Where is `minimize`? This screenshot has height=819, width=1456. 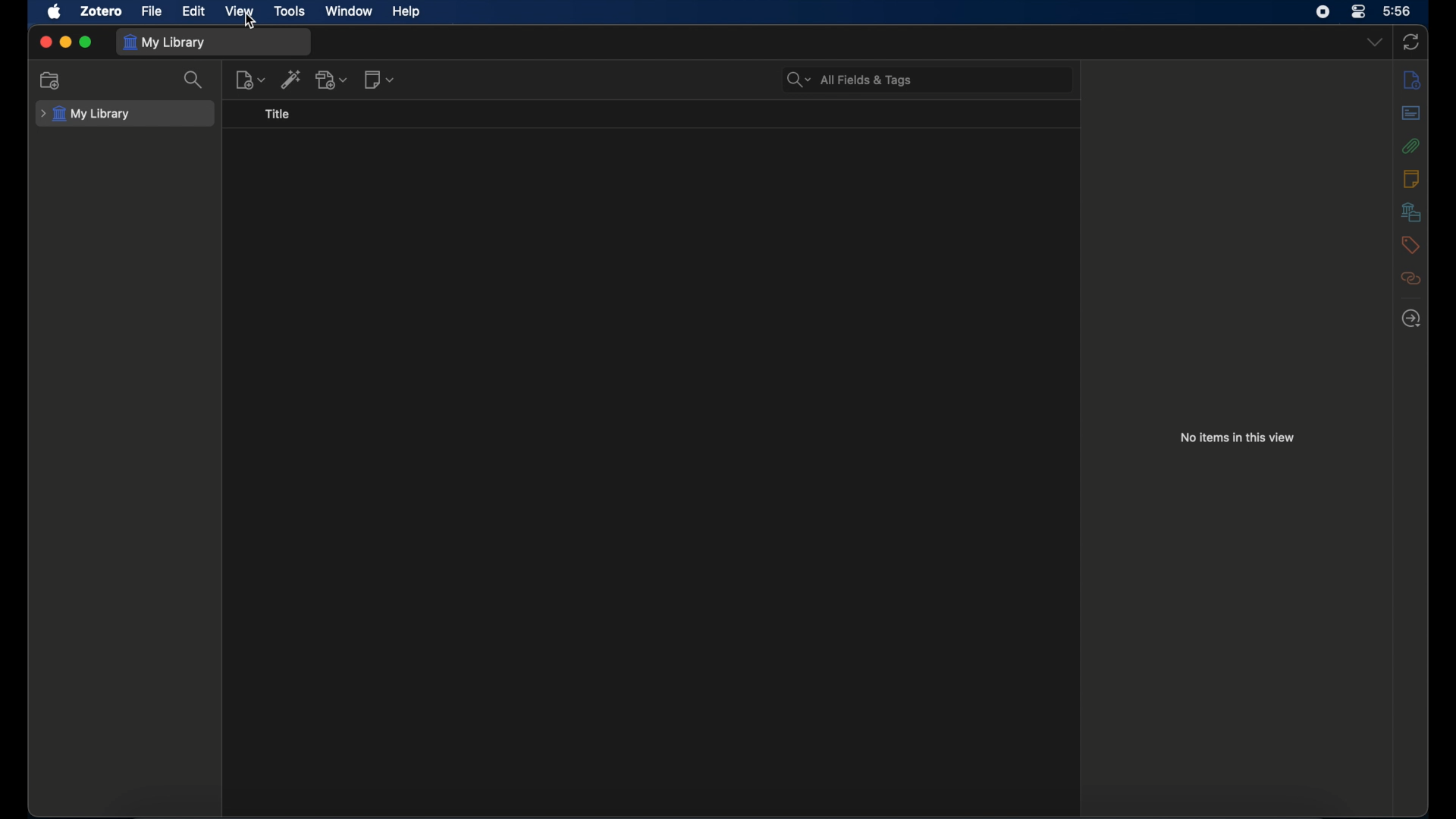 minimize is located at coordinates (67, 42).